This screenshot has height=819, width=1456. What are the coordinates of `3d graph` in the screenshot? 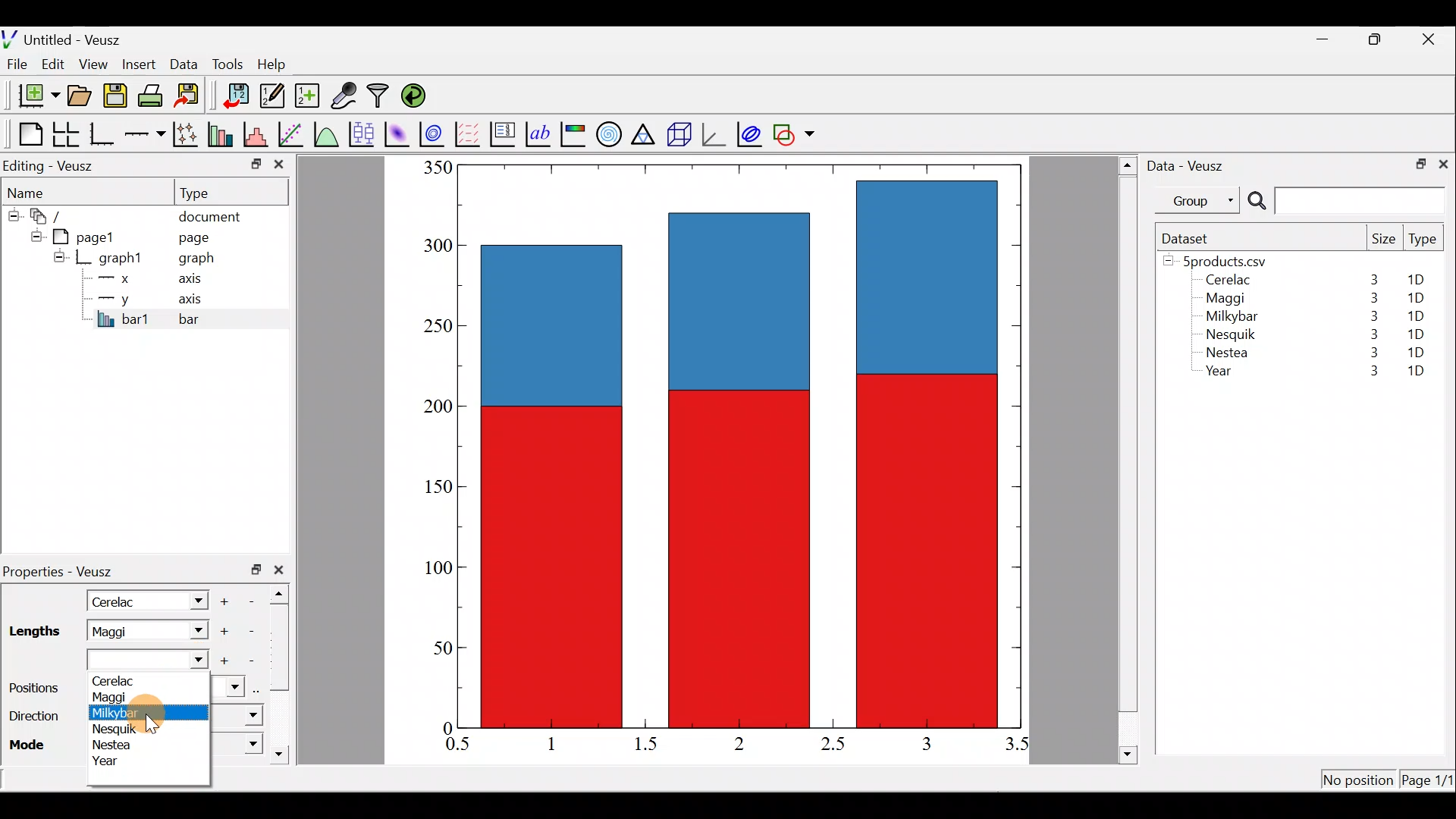 It's located at (714, 133).